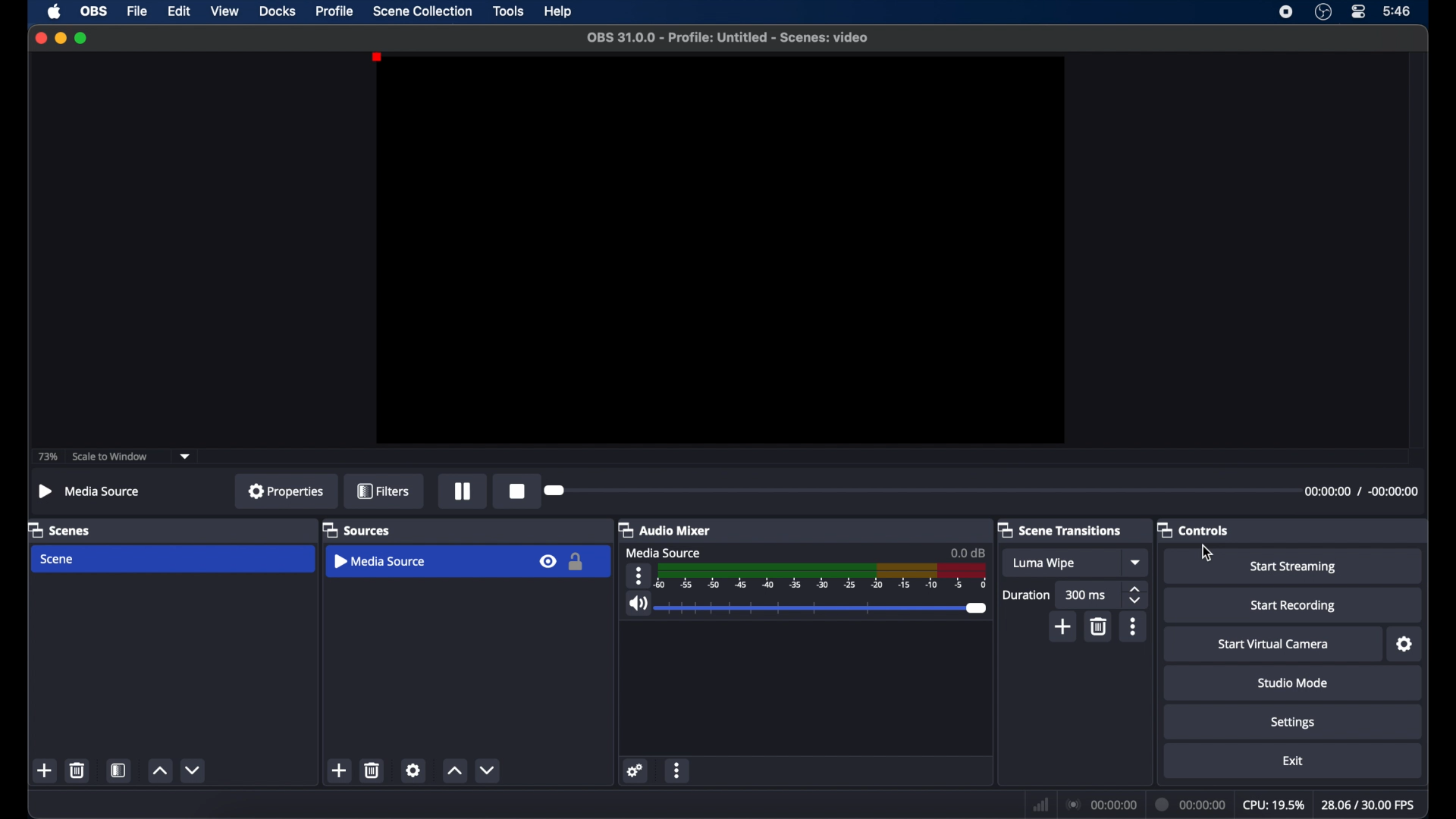  I want to click on dropdown, so click(185, 457).